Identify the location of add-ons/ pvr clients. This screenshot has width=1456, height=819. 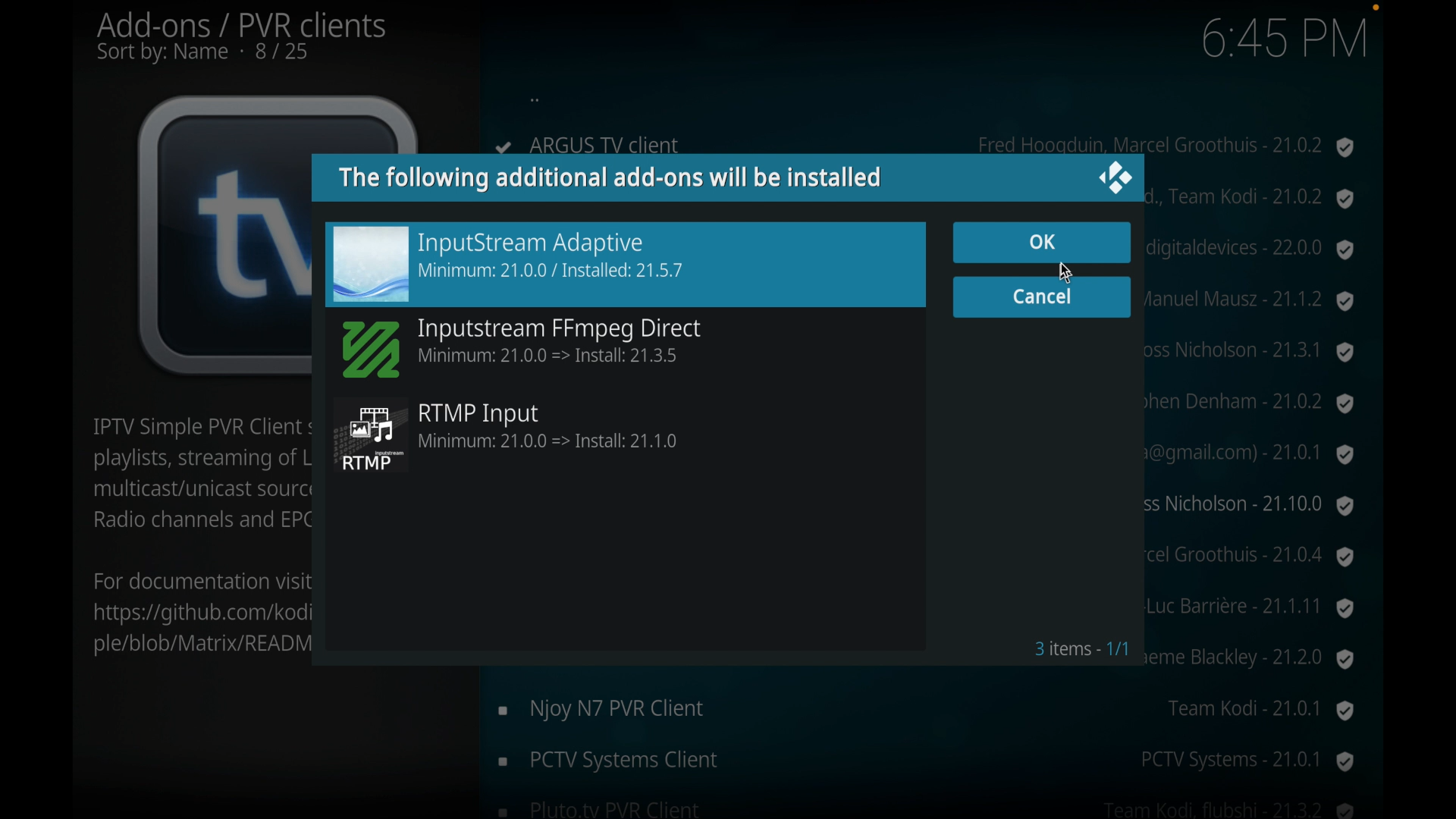
(244, 38).